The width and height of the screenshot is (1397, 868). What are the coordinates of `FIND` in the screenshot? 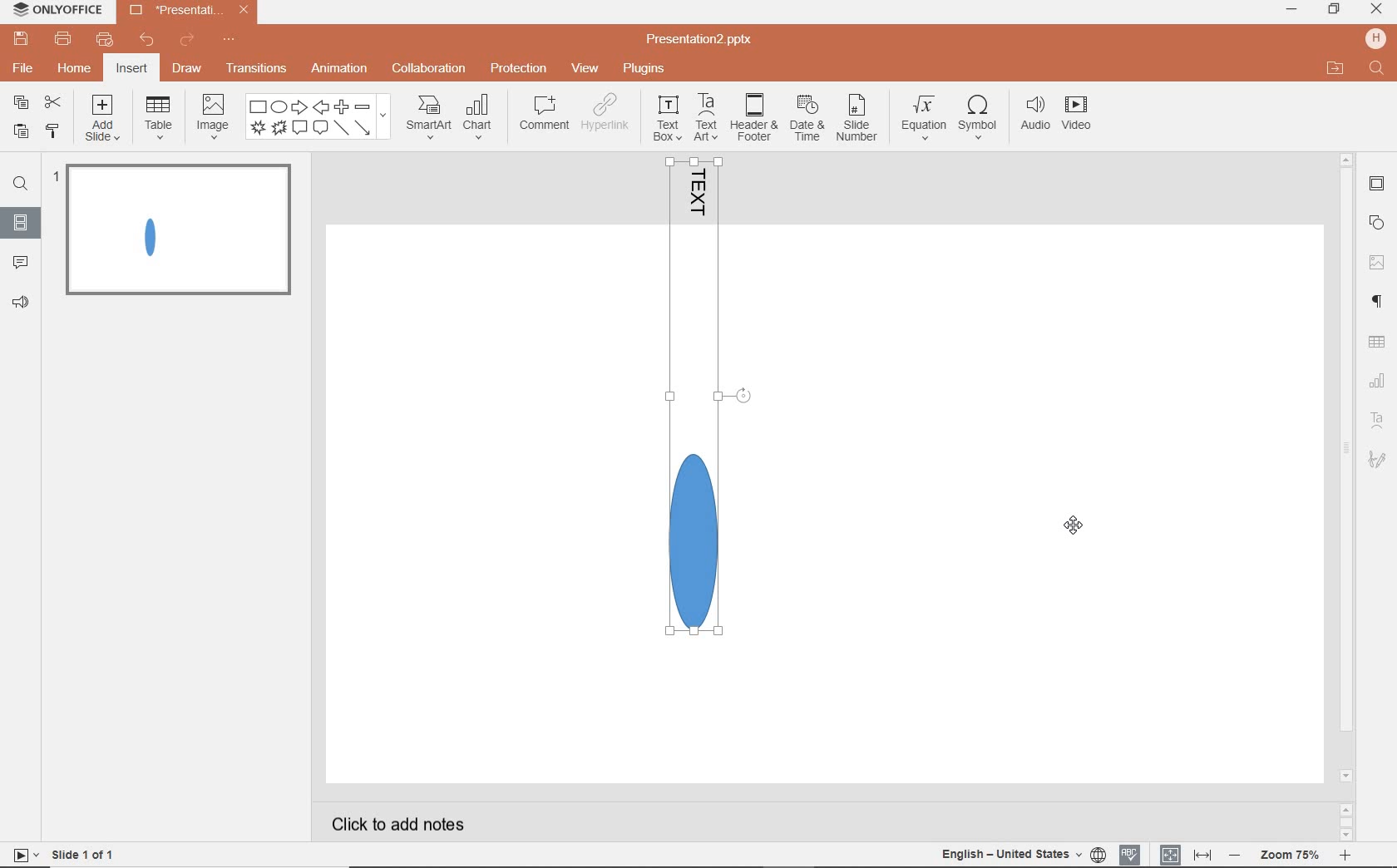 It's located at (18, 186).